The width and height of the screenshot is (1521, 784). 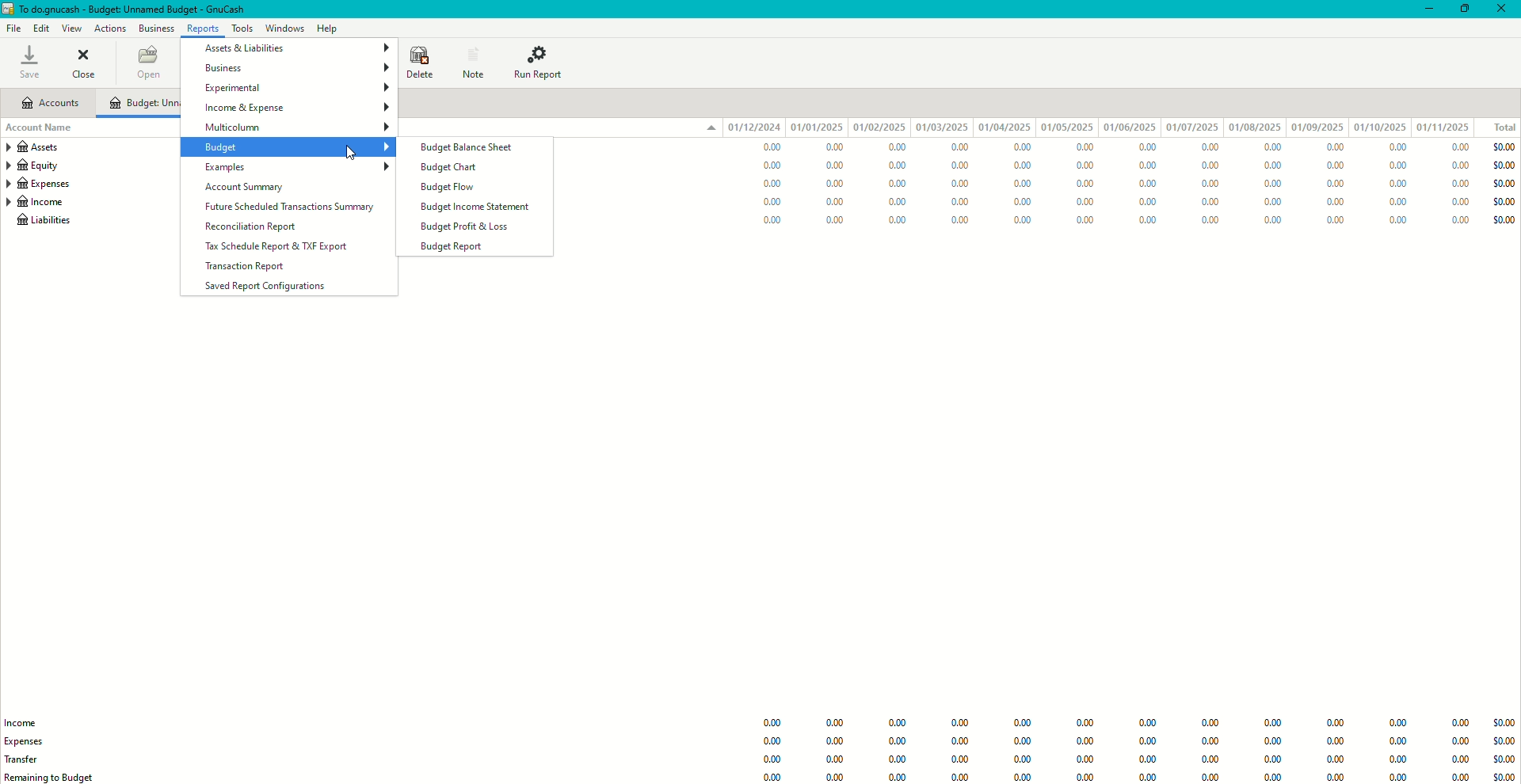 What do you see at coordinates (959, 221) in the screenshot?
I see `0.00` at bounding box center [959, 221].